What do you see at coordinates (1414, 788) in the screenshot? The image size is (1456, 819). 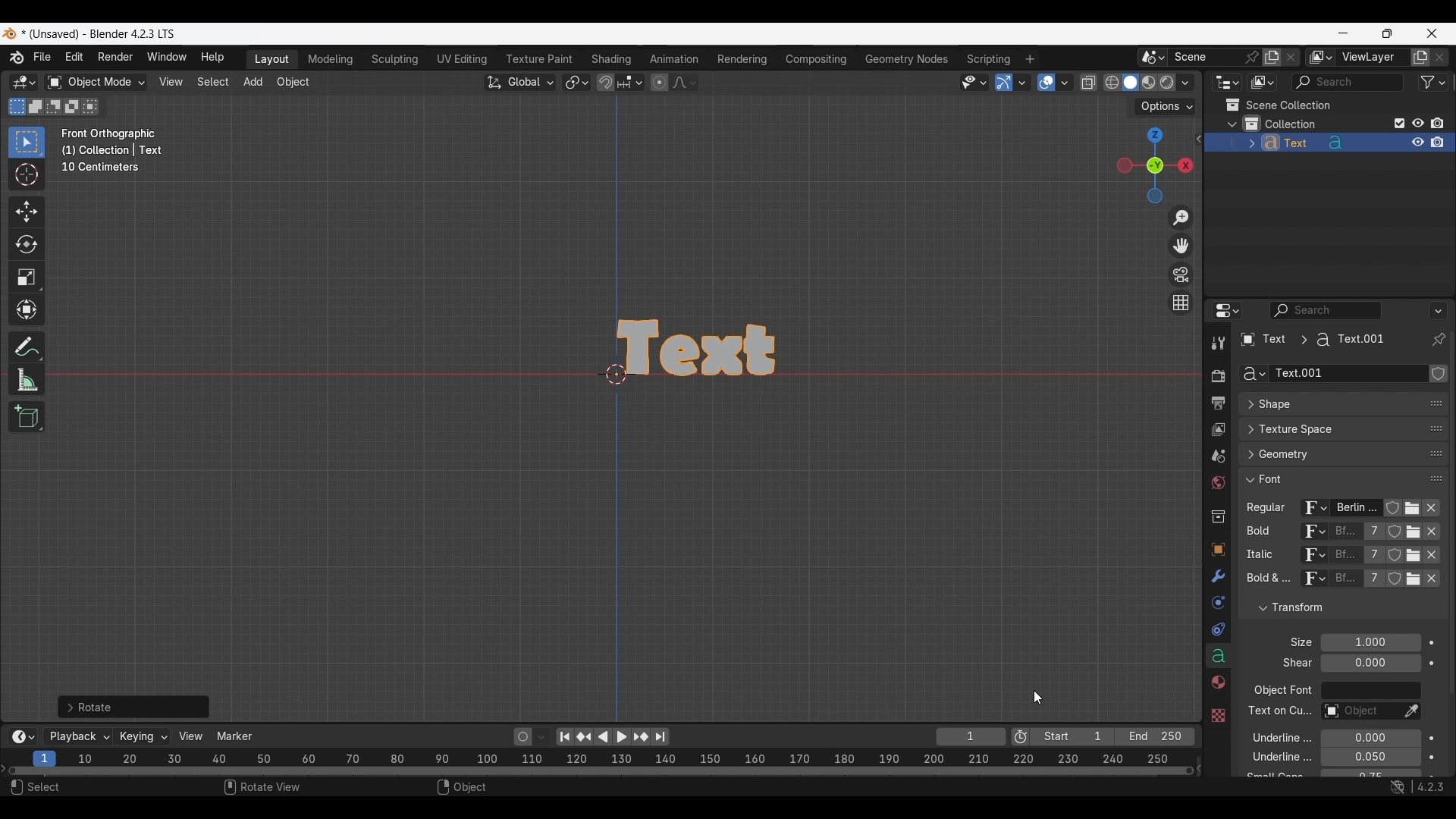 I see `shortcut` at bounding box center [1414, 788].